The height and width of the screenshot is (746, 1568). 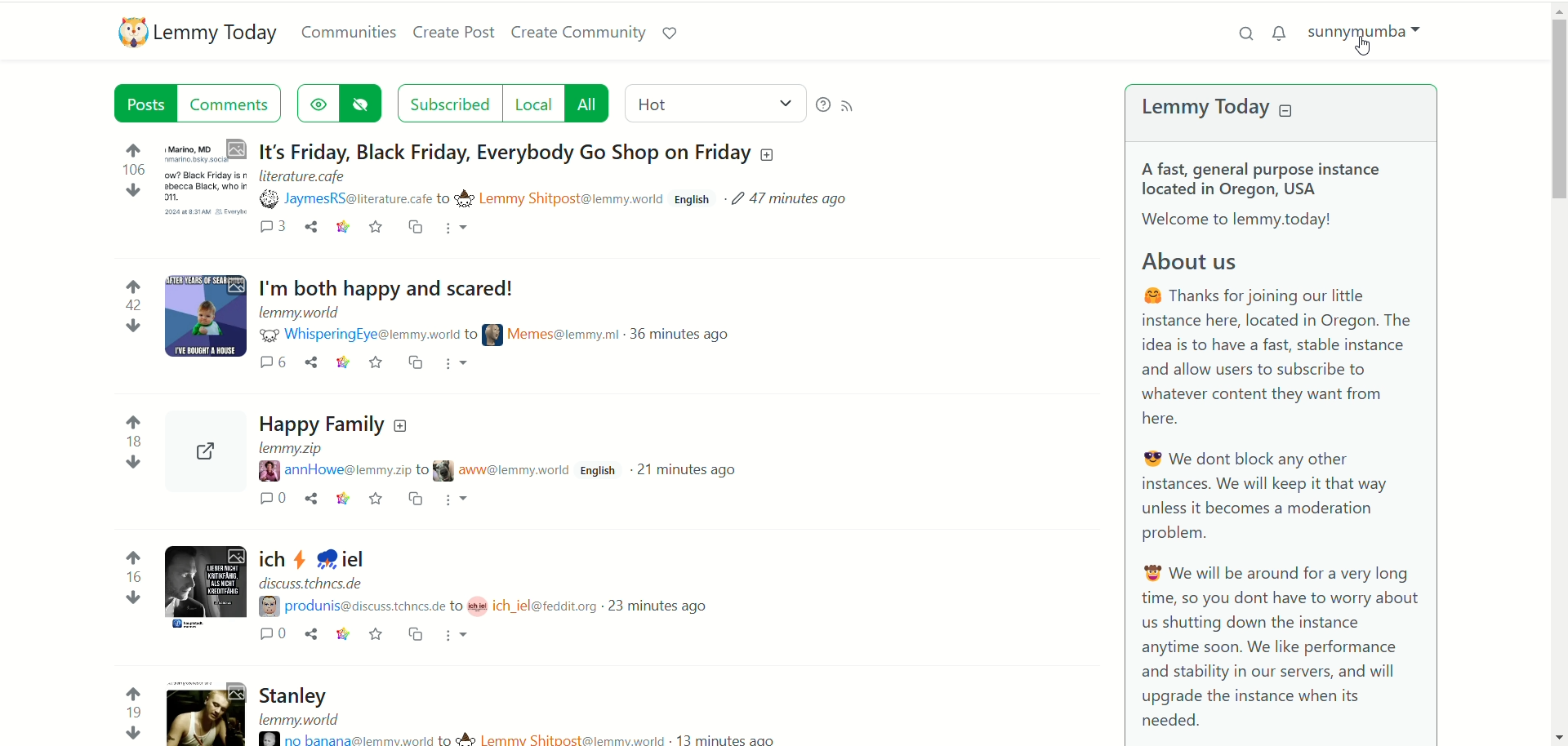 What do you see at coordinates (316, 102) in the screenshot?
I see `show hidden posts` at bounding box center [316, 102].